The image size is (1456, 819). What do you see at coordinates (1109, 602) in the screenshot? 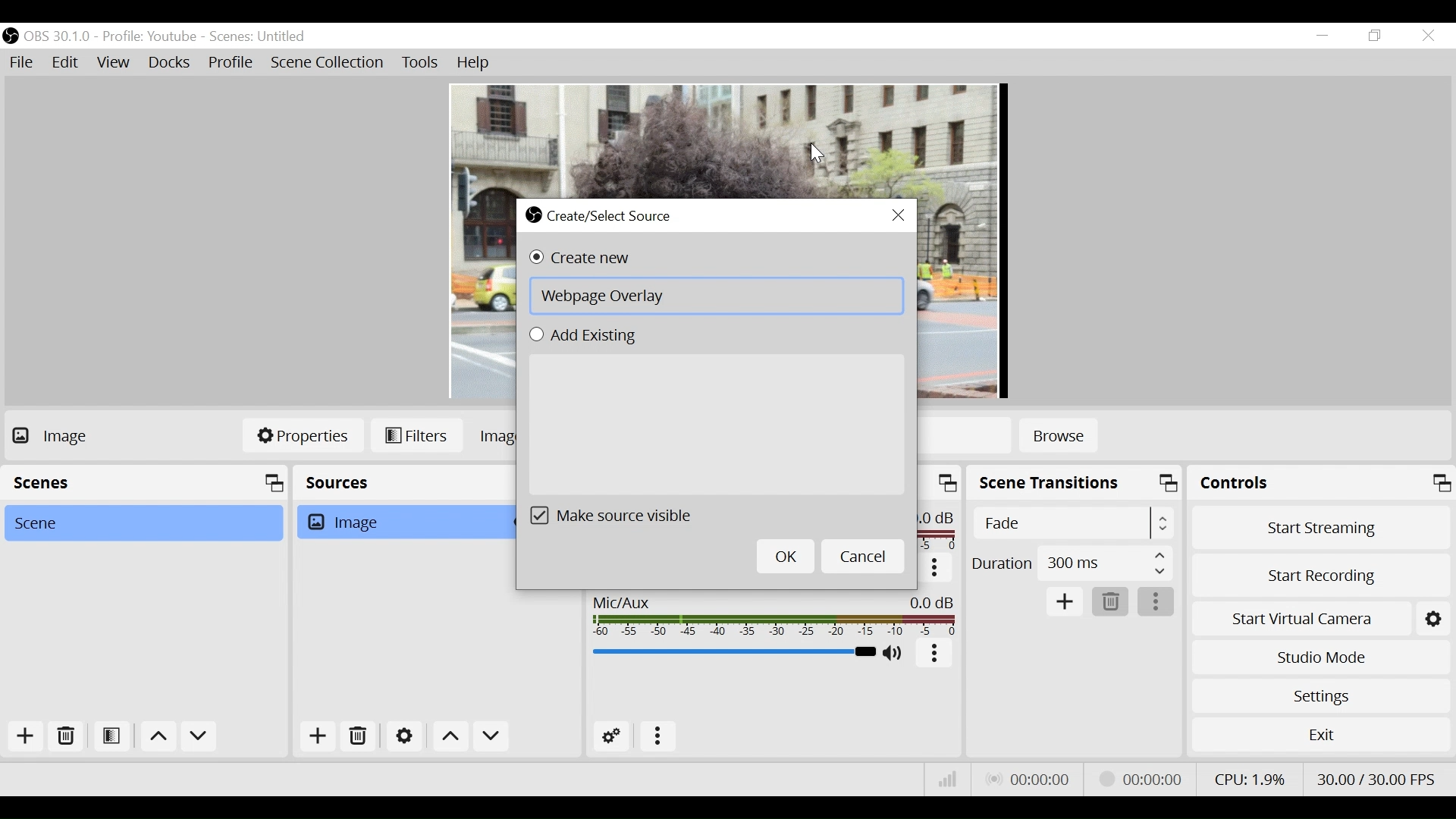
I see `Delete` at bounding box center [1109, 602].